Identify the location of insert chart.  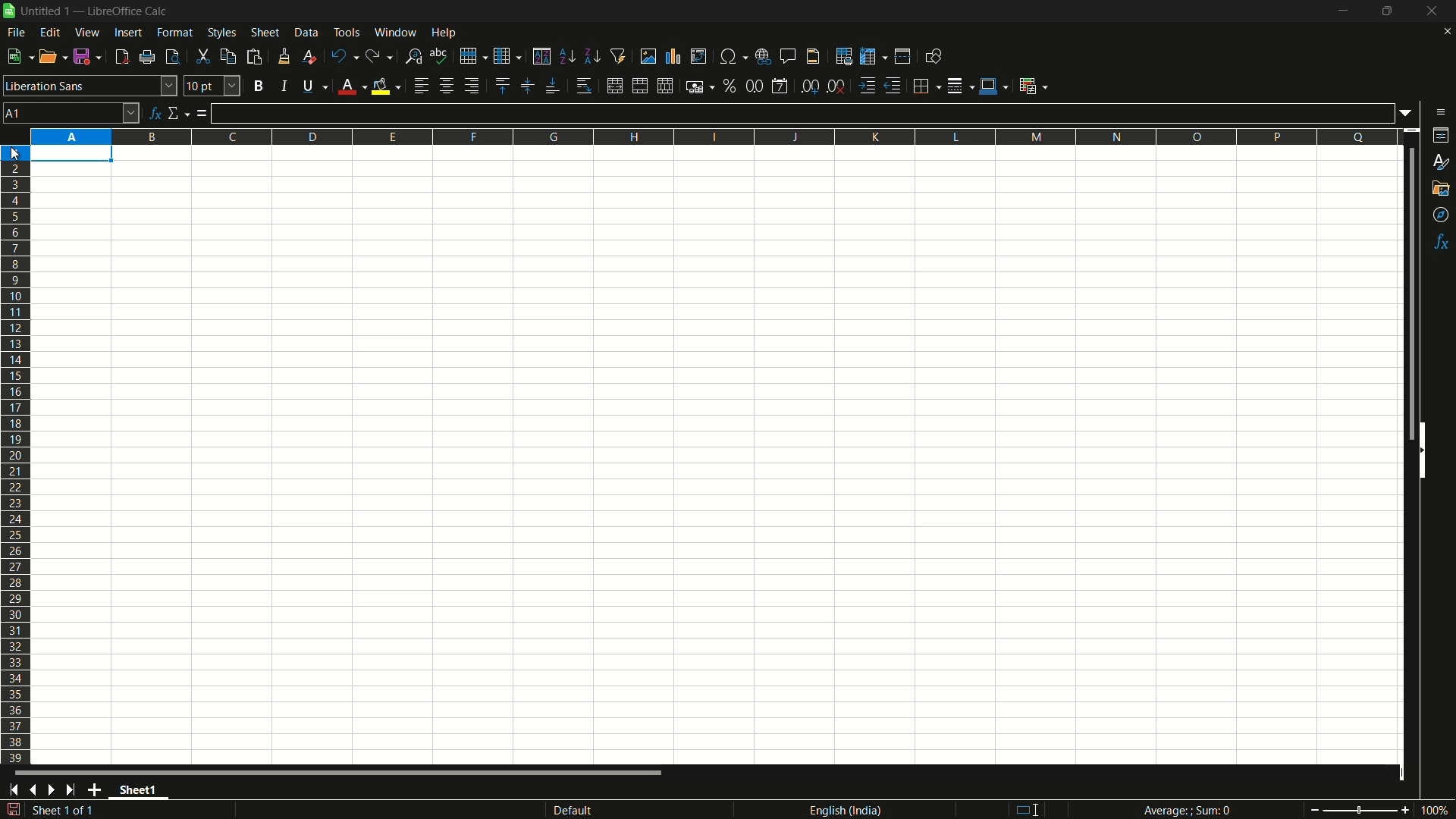
(673, 55).